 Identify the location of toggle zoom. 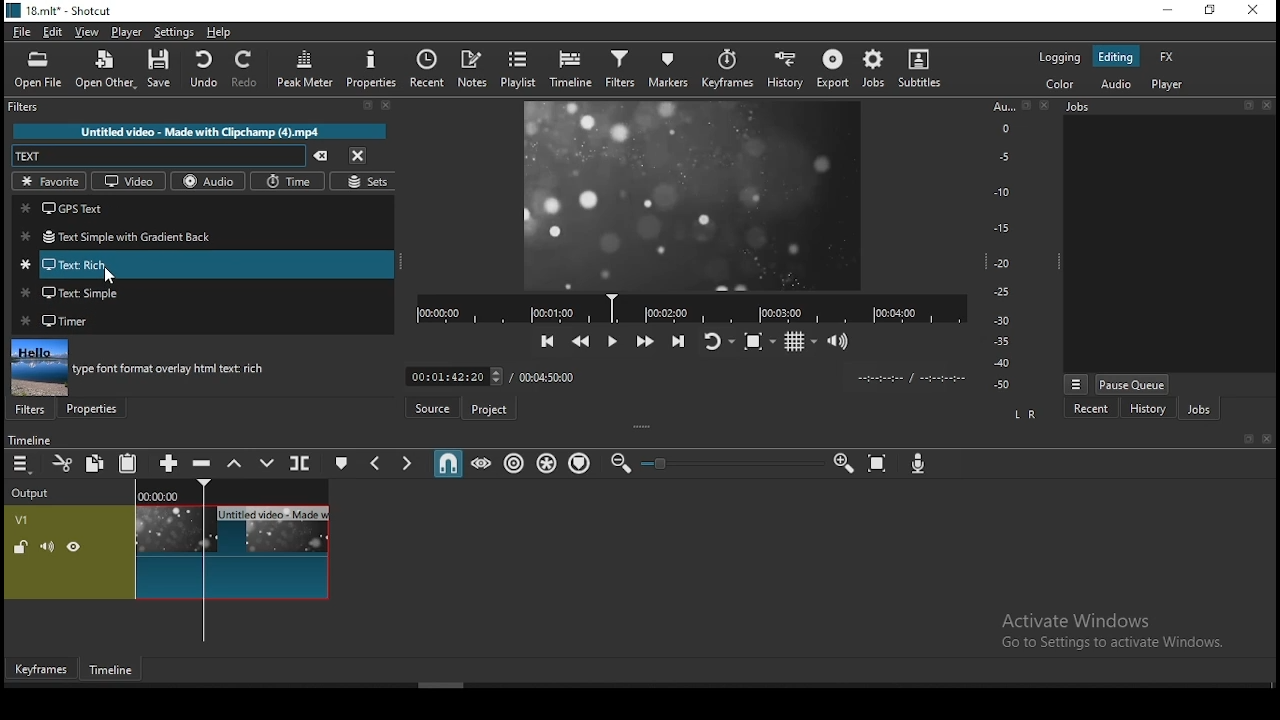
(760, 341).